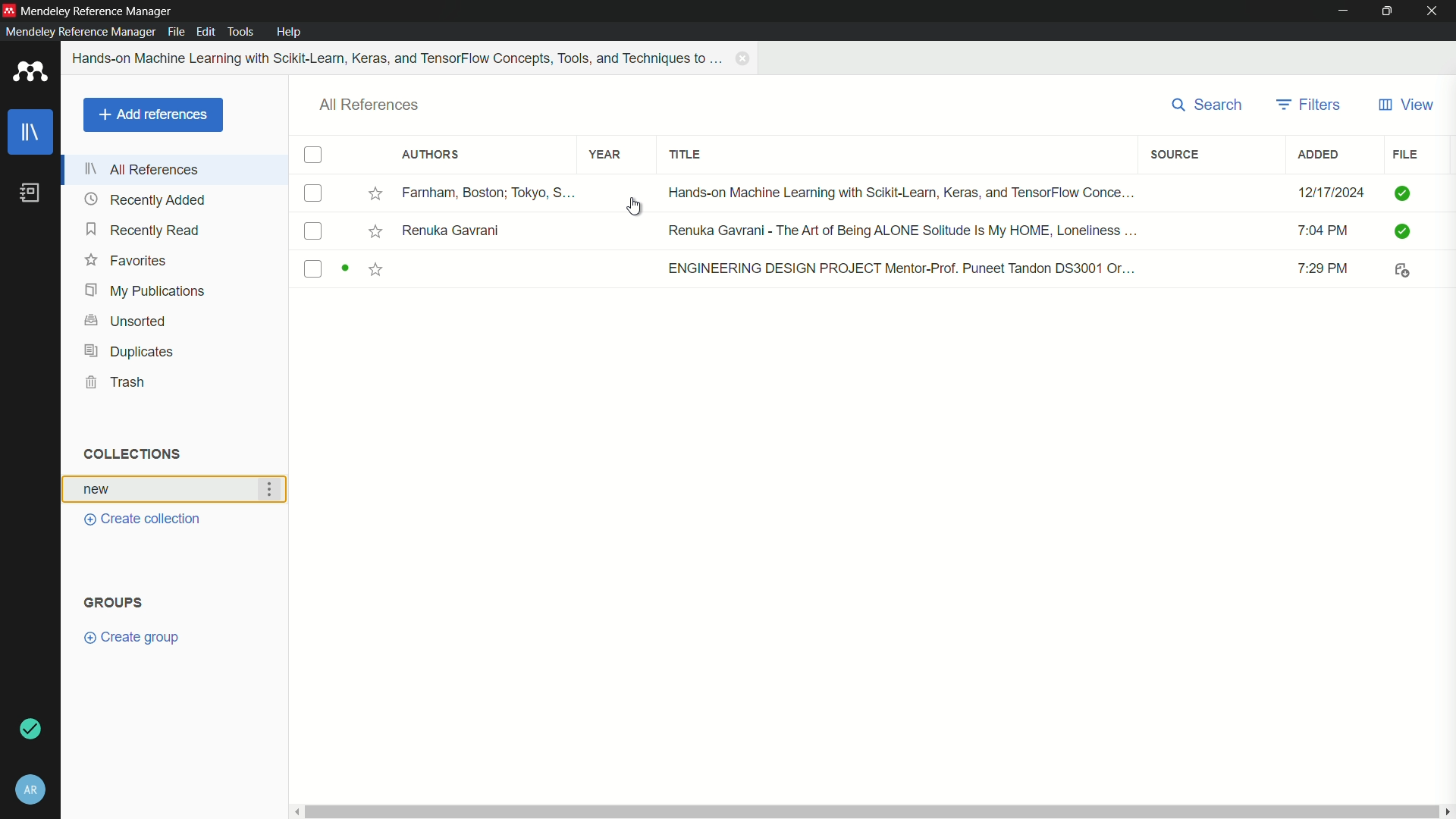 The height and width of the screenshot is (819, 1456). What do you see at coordinates (1405, 105) in the screenshot?
I see `view` at bounding box center [1405, 105].